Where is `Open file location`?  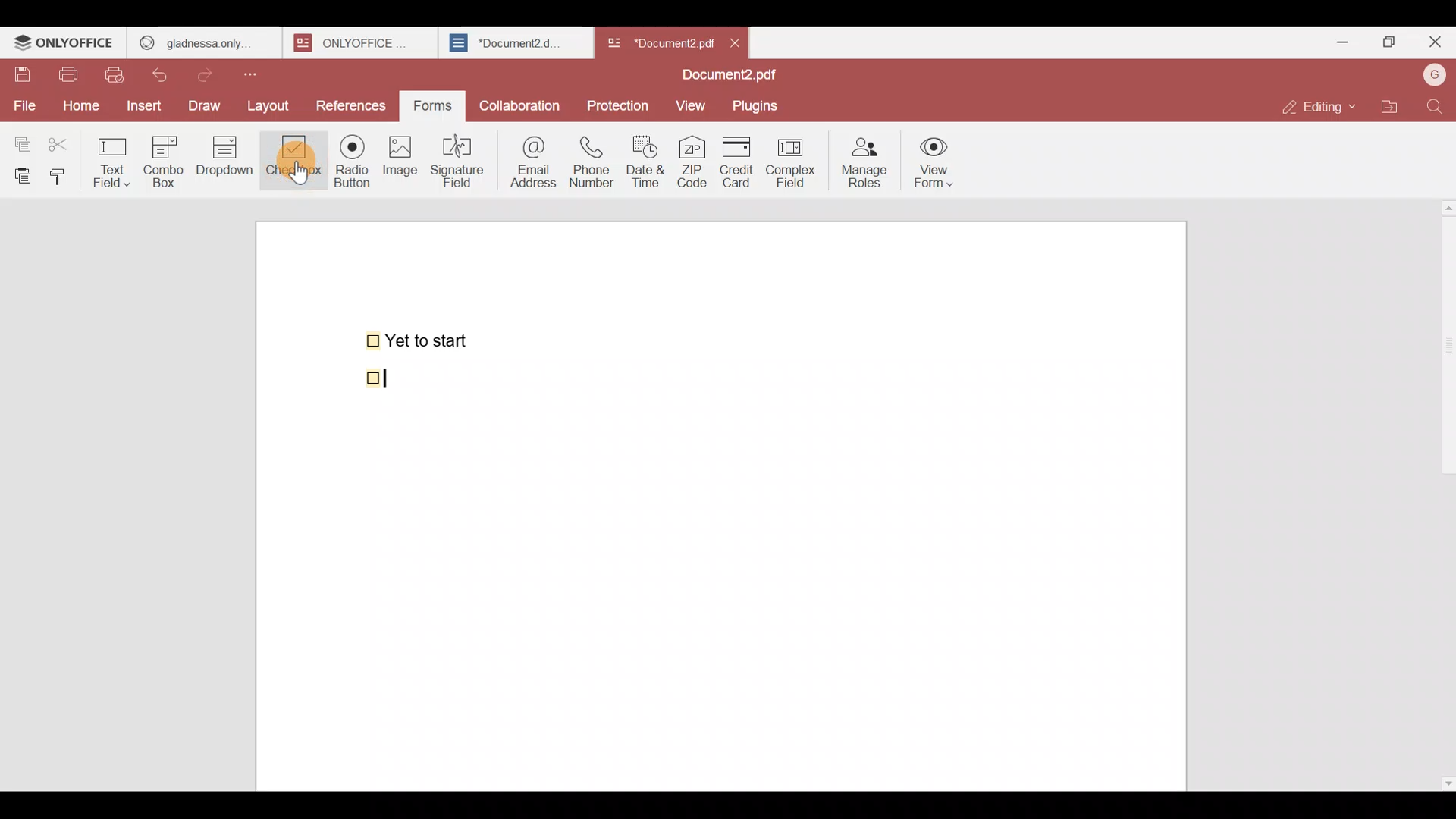 Open file location is located at coordinates (1389, 105).